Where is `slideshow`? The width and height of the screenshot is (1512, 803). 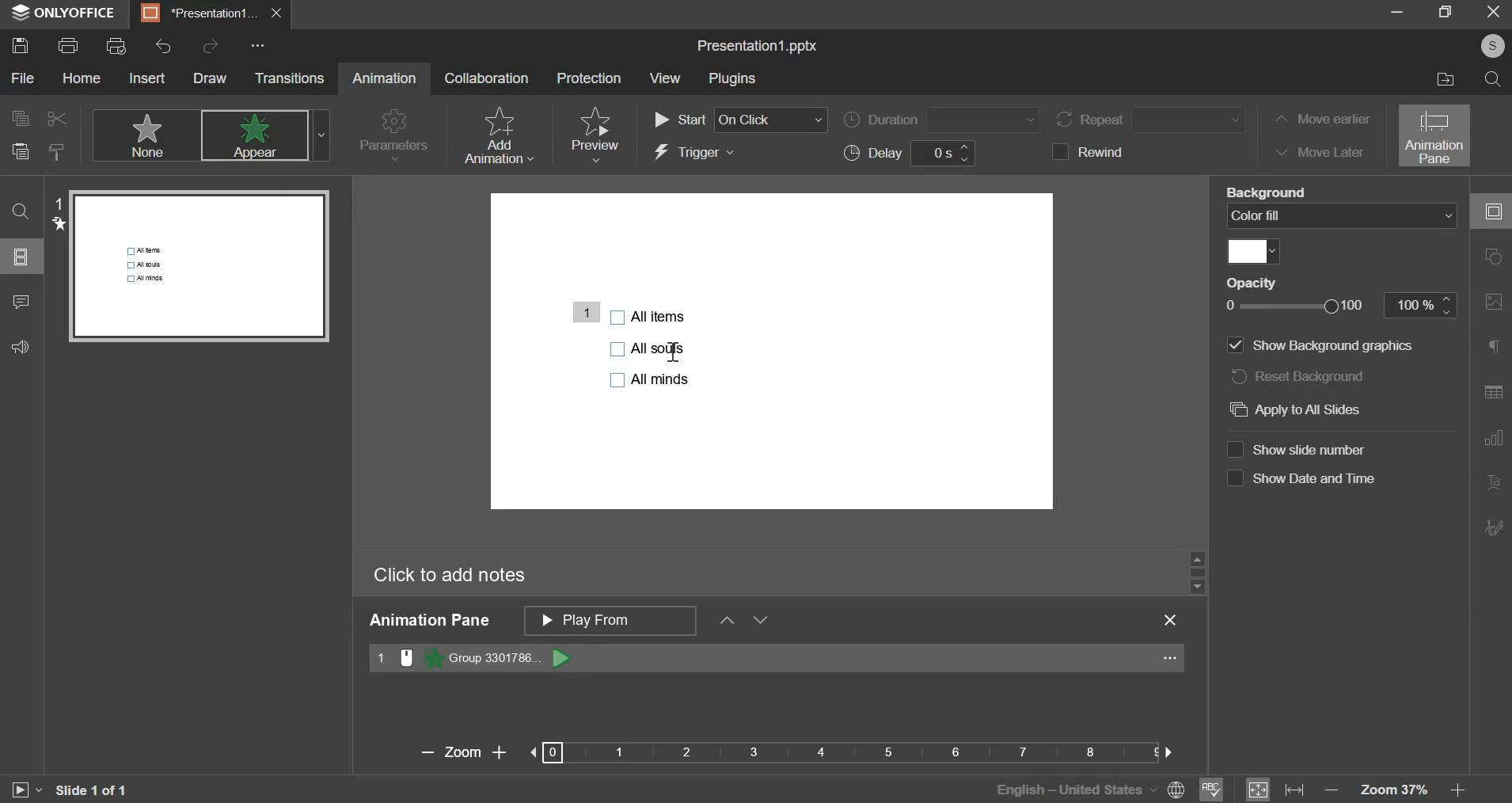
slideshow is located at coordinates (25, 788).